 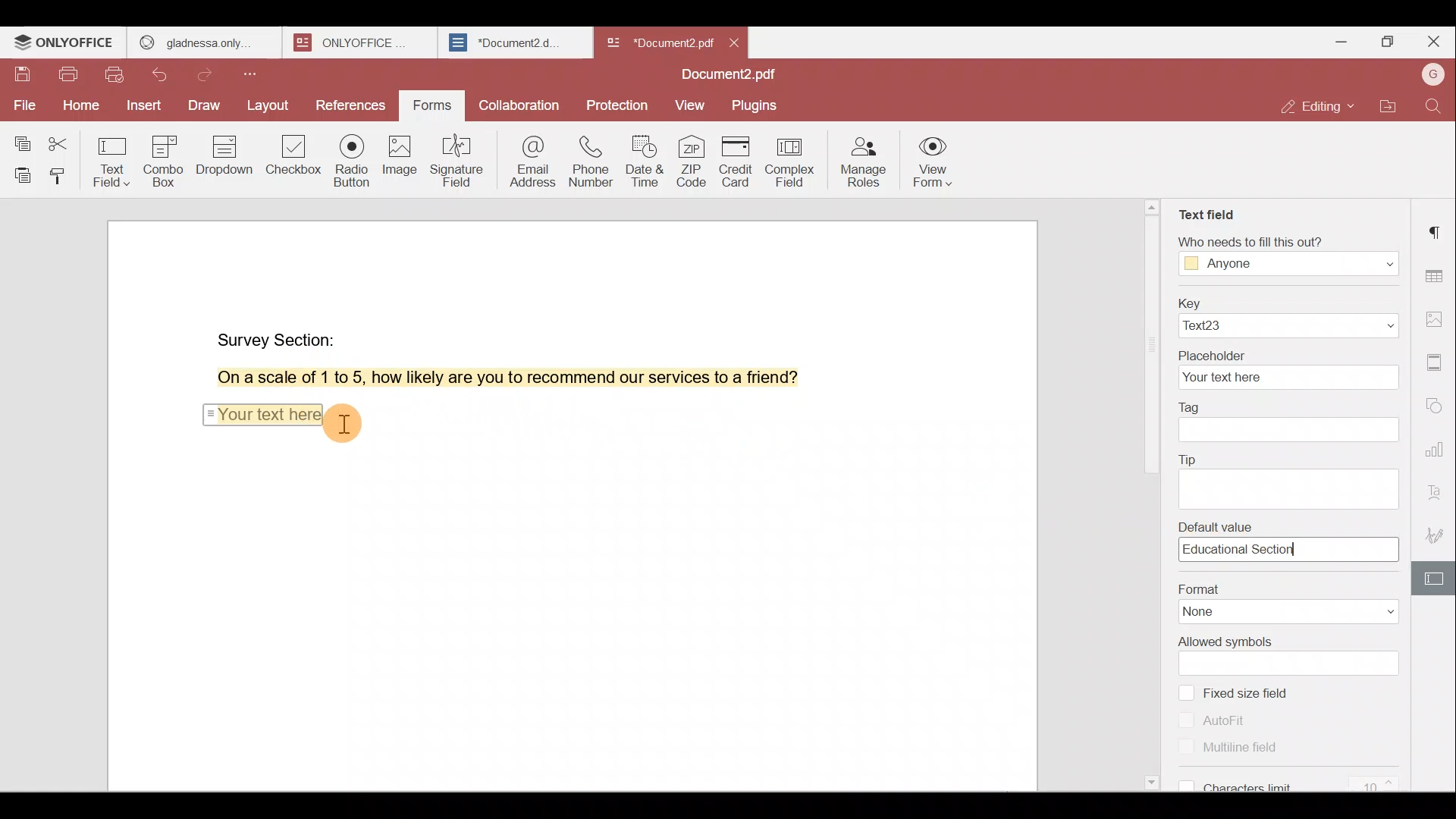 I want to click on Quick print, so click(x=116, y=77).